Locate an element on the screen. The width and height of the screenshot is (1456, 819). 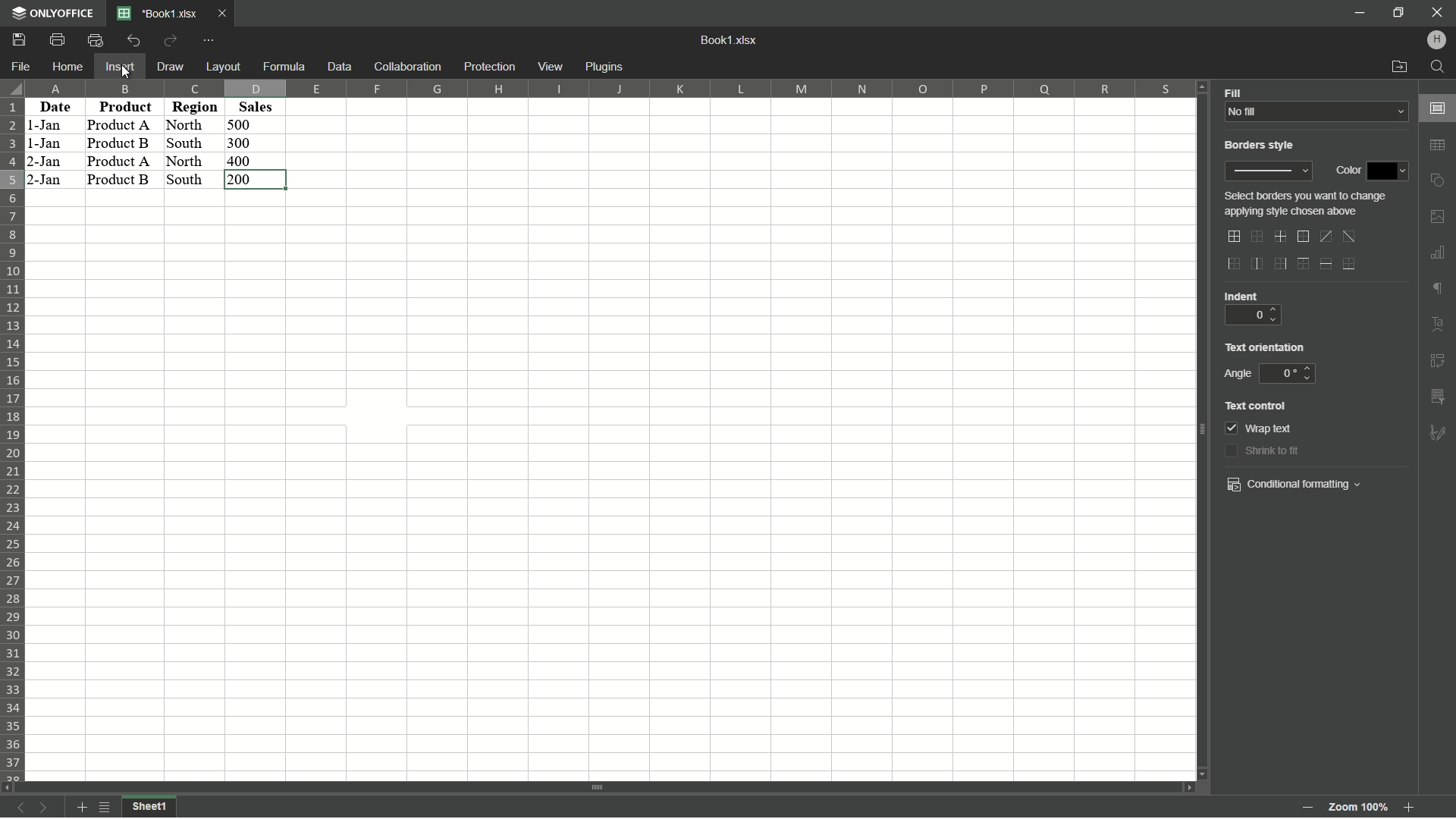
up is located at coordinates (1310, 367).